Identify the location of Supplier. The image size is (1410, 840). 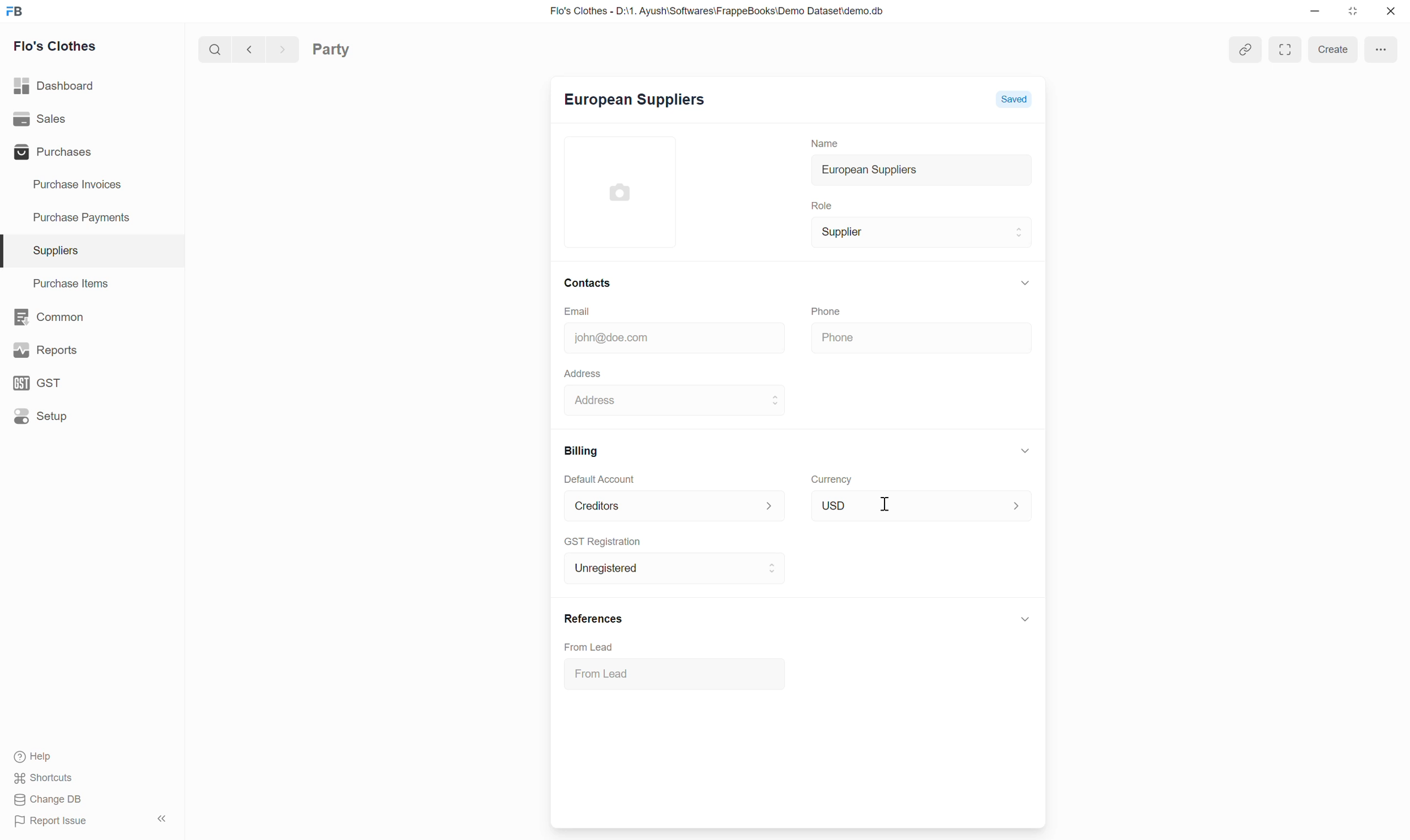
(838, 232).